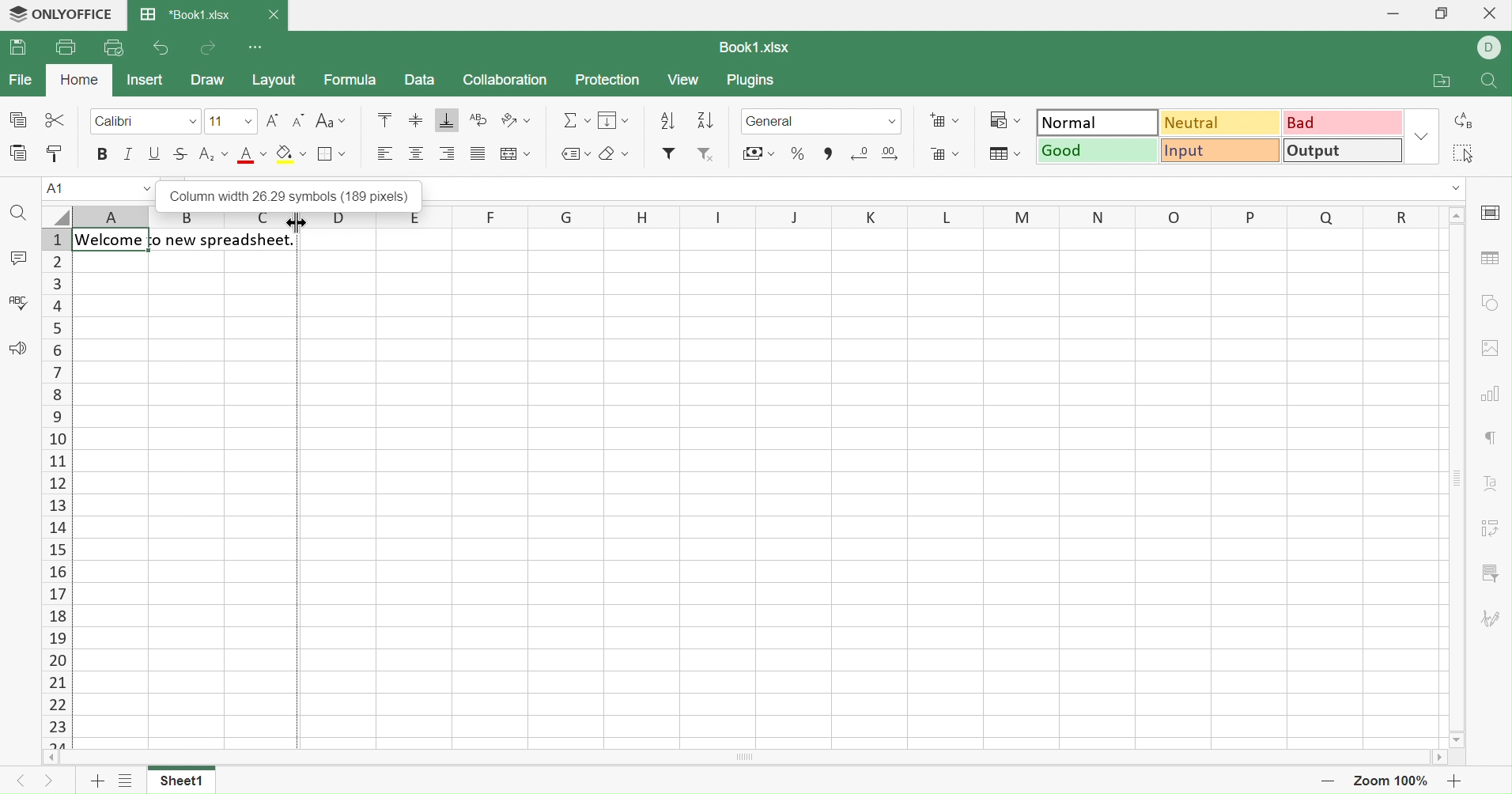  I want to click on image settings, so click(1494, 348).